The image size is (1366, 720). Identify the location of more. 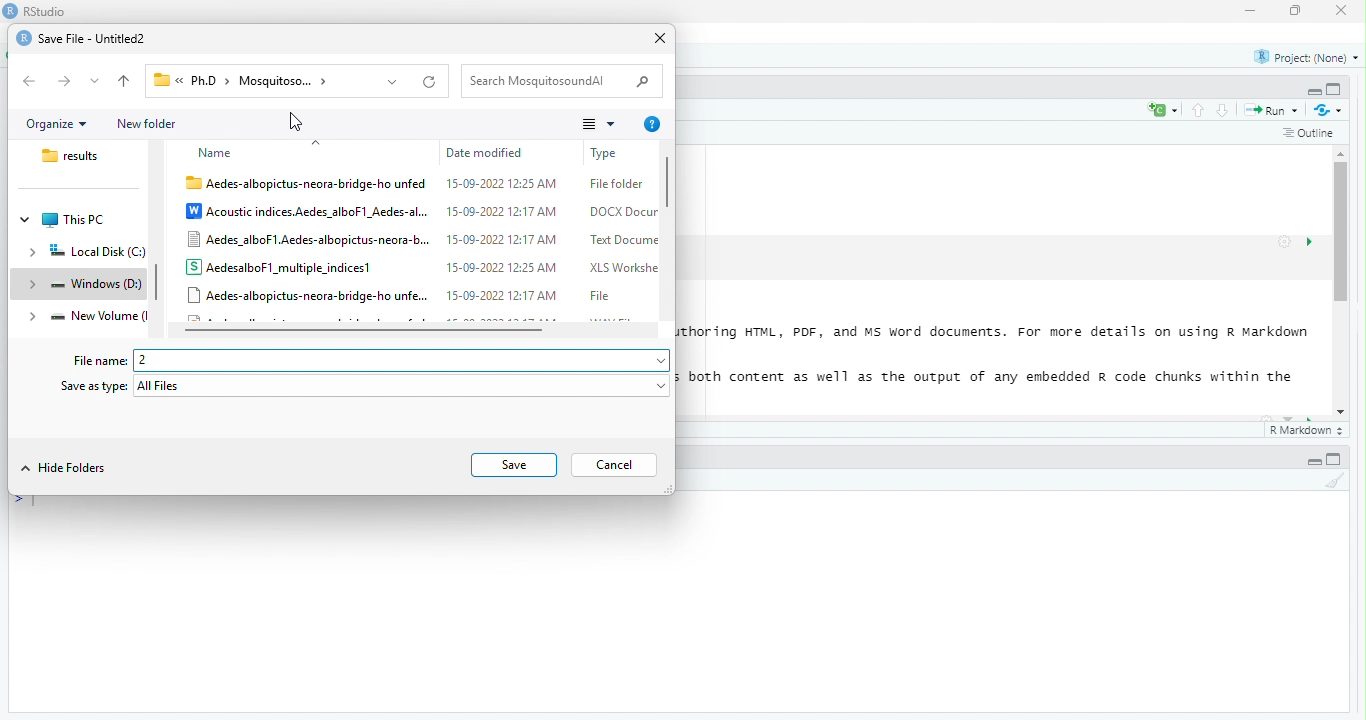
(600, 124).